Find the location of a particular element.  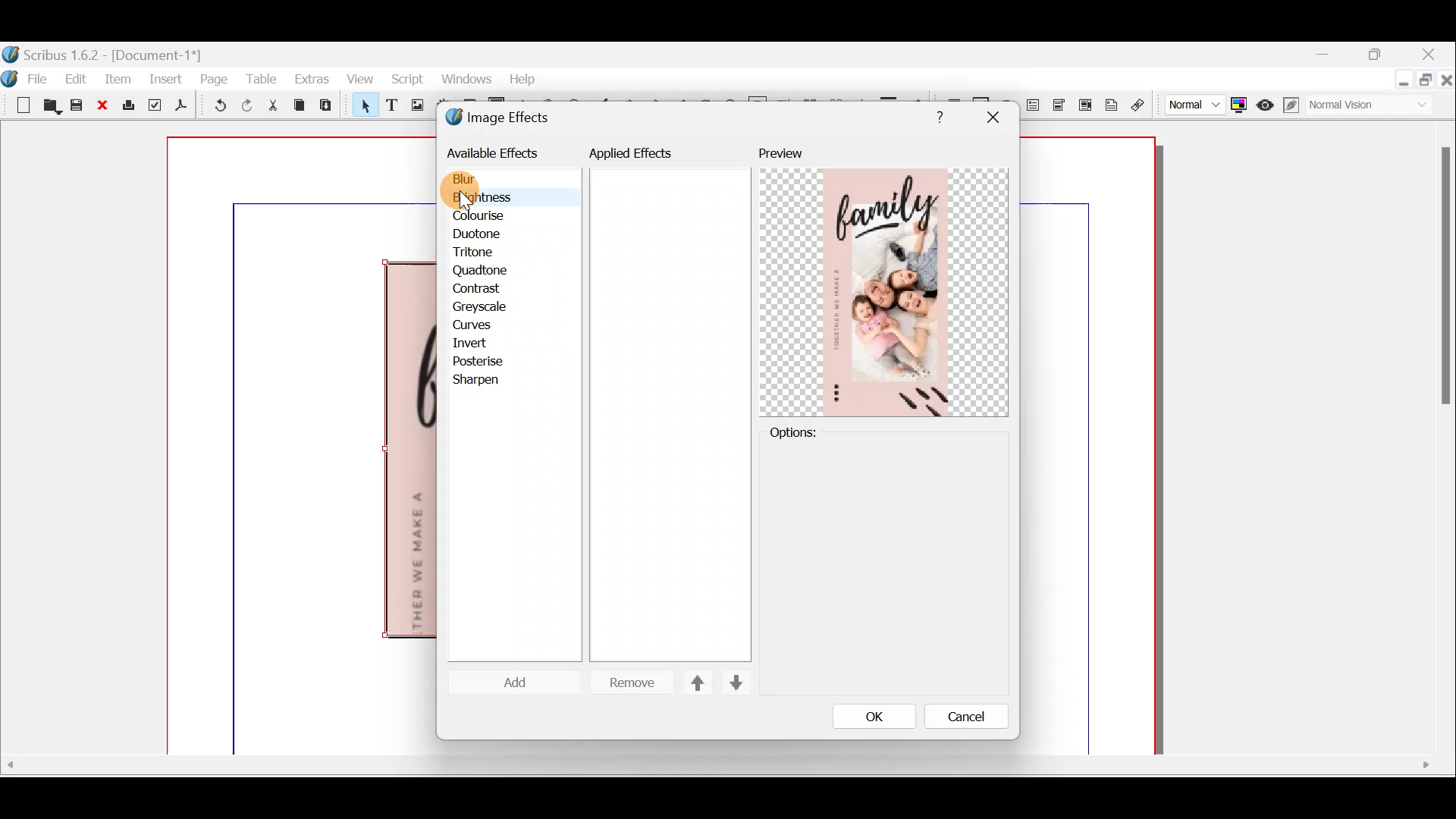

Available effects is located at coordinates (495, 152).